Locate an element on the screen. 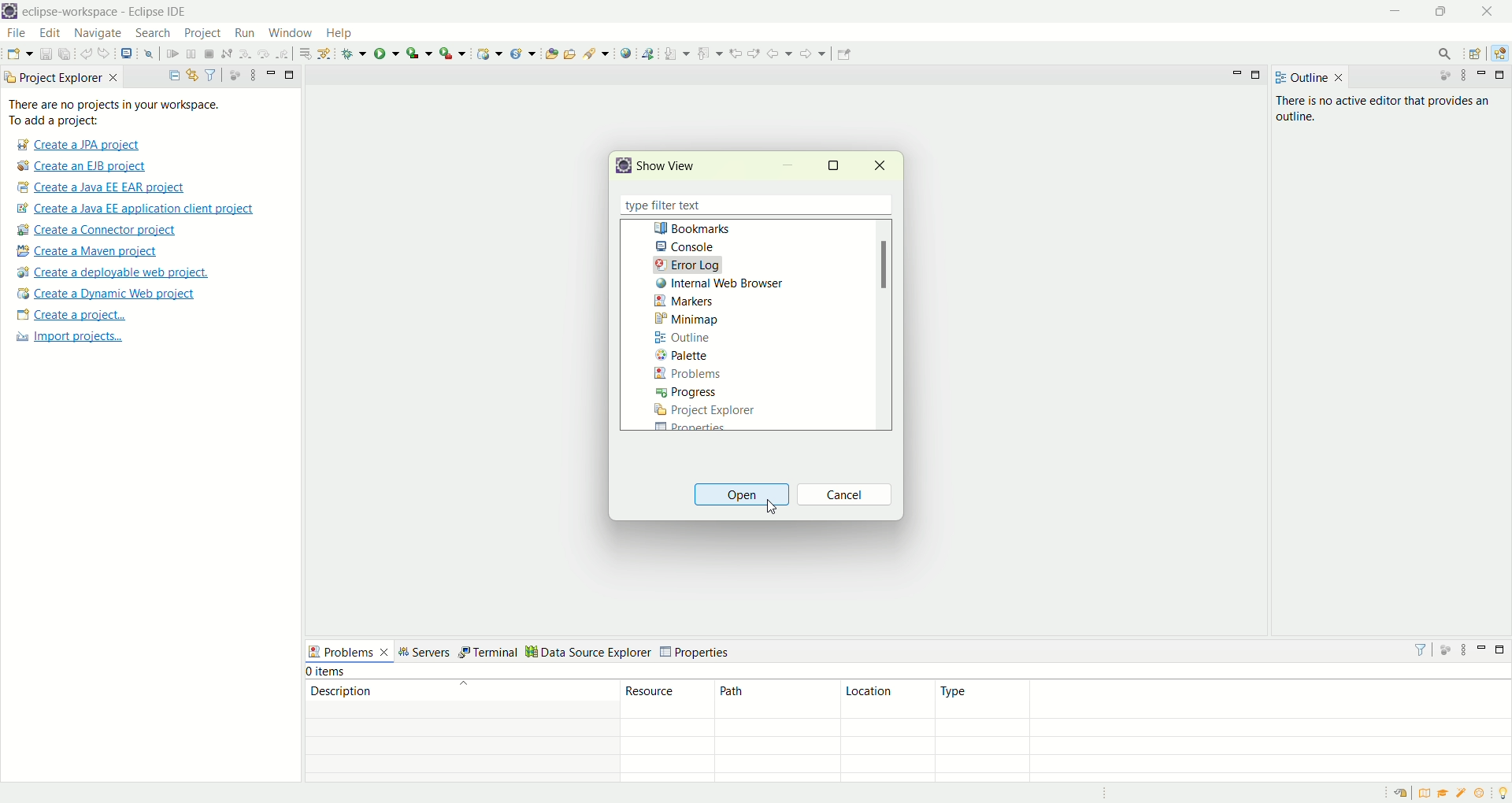 The height and width of the screenshot is (803, 1512). search is located at coordinates (1447, 52).